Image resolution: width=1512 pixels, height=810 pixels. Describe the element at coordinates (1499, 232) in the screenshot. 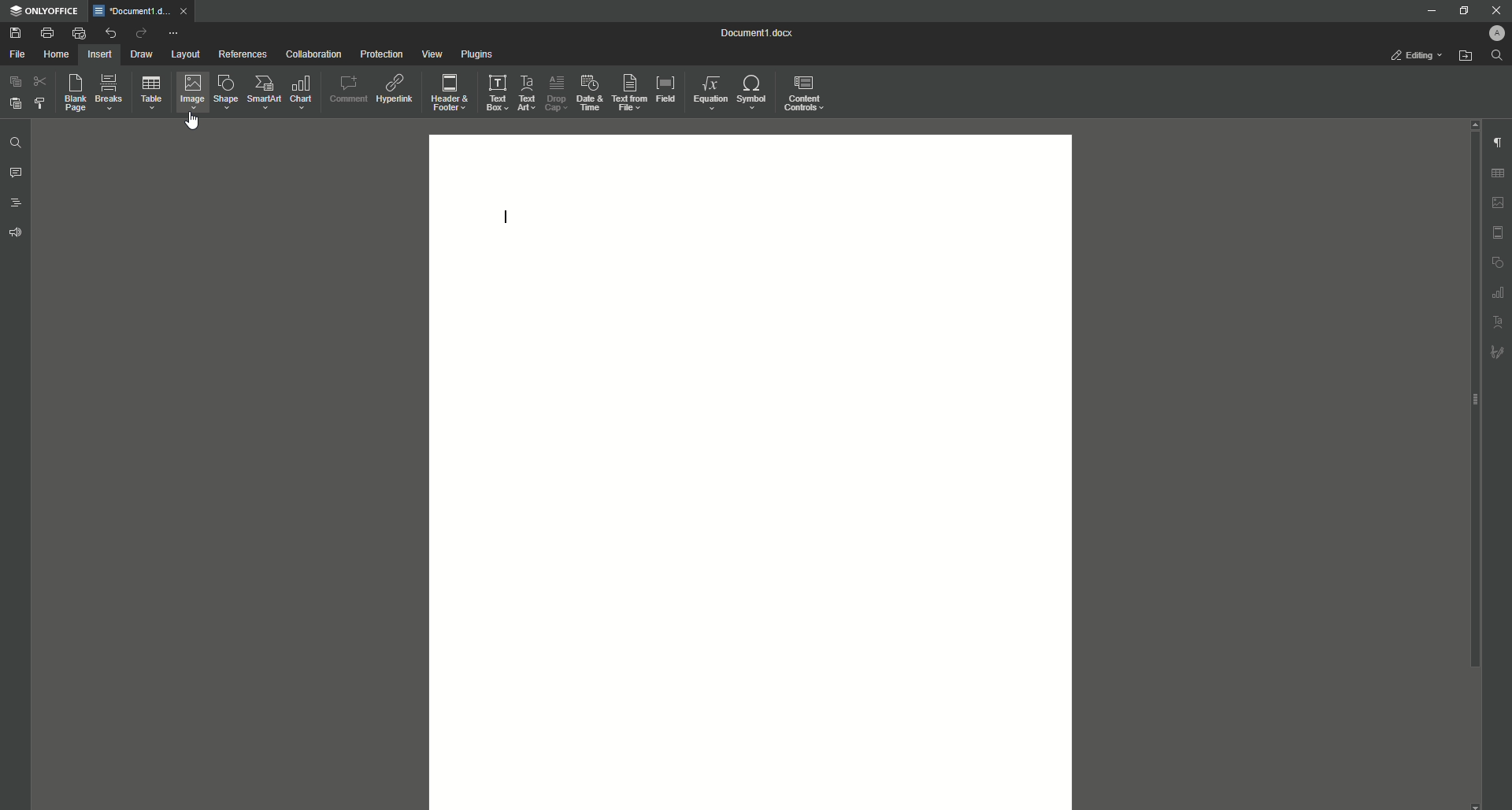

I see `Header/Footer` at that location.